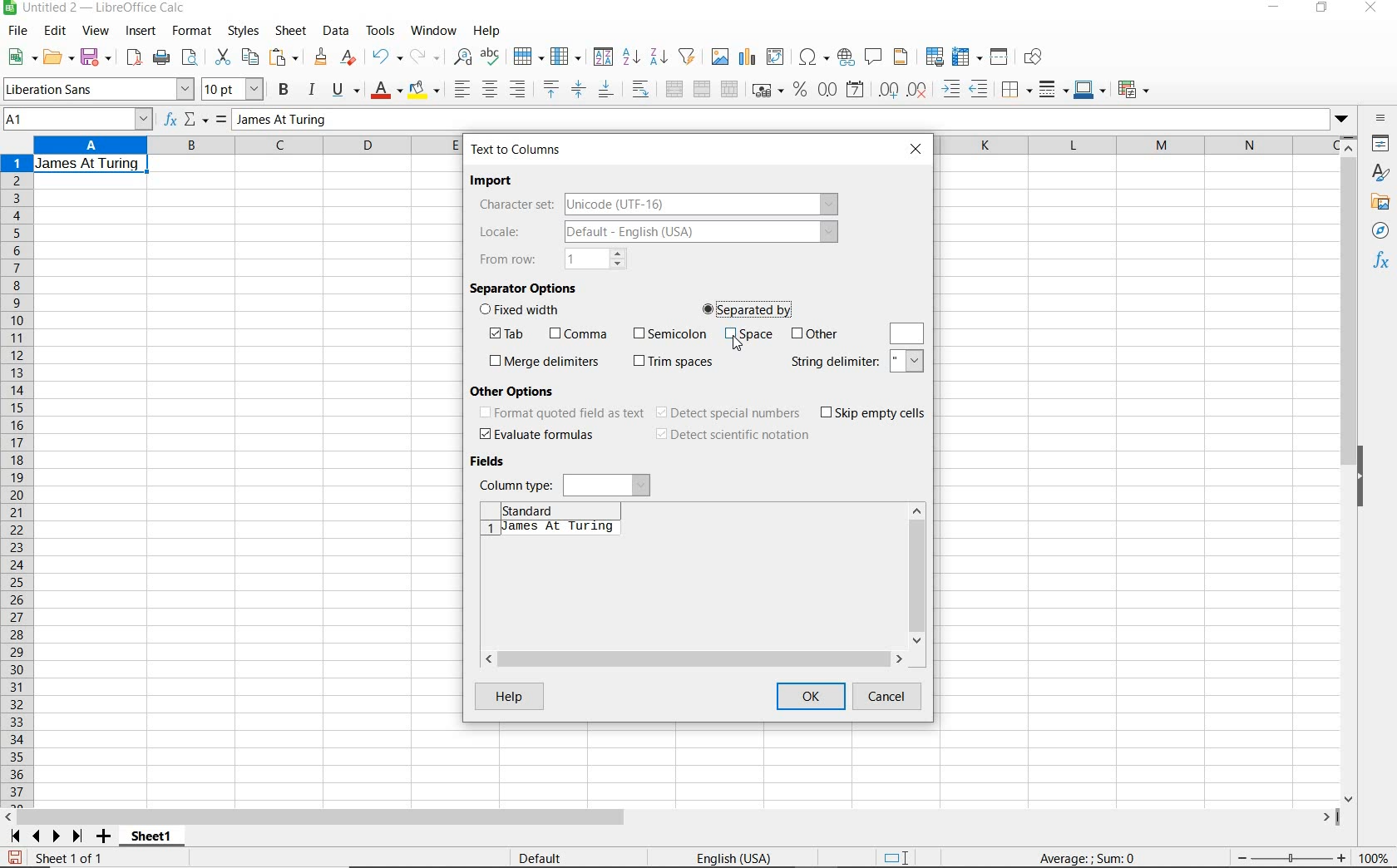 This screenshot has height=868, width=1397. I want to click on detect scientific notation, so click(732, 436).